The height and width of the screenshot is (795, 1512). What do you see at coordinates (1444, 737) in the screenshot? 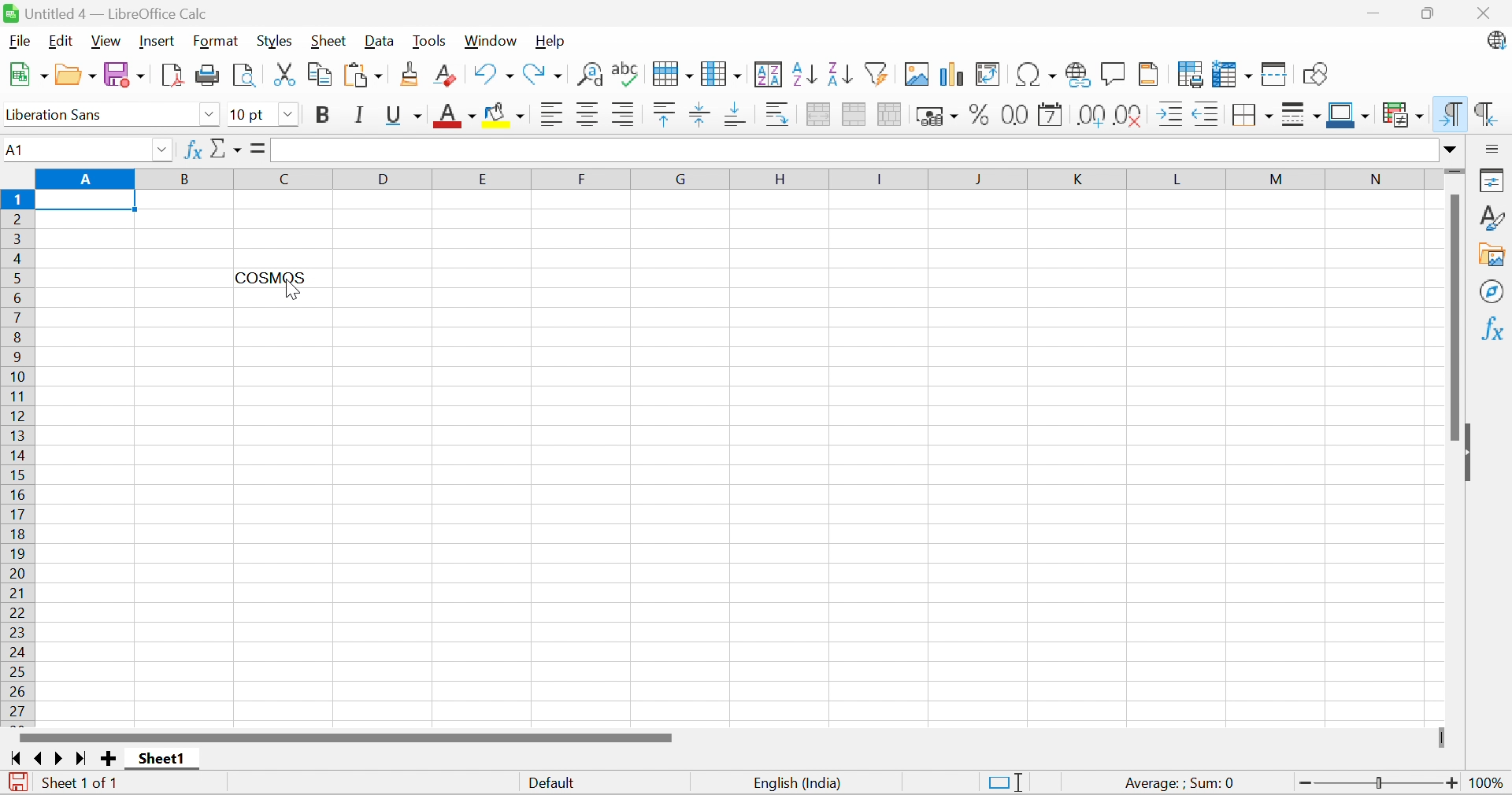
I see `Slider` at bounding box center [1444, 737].